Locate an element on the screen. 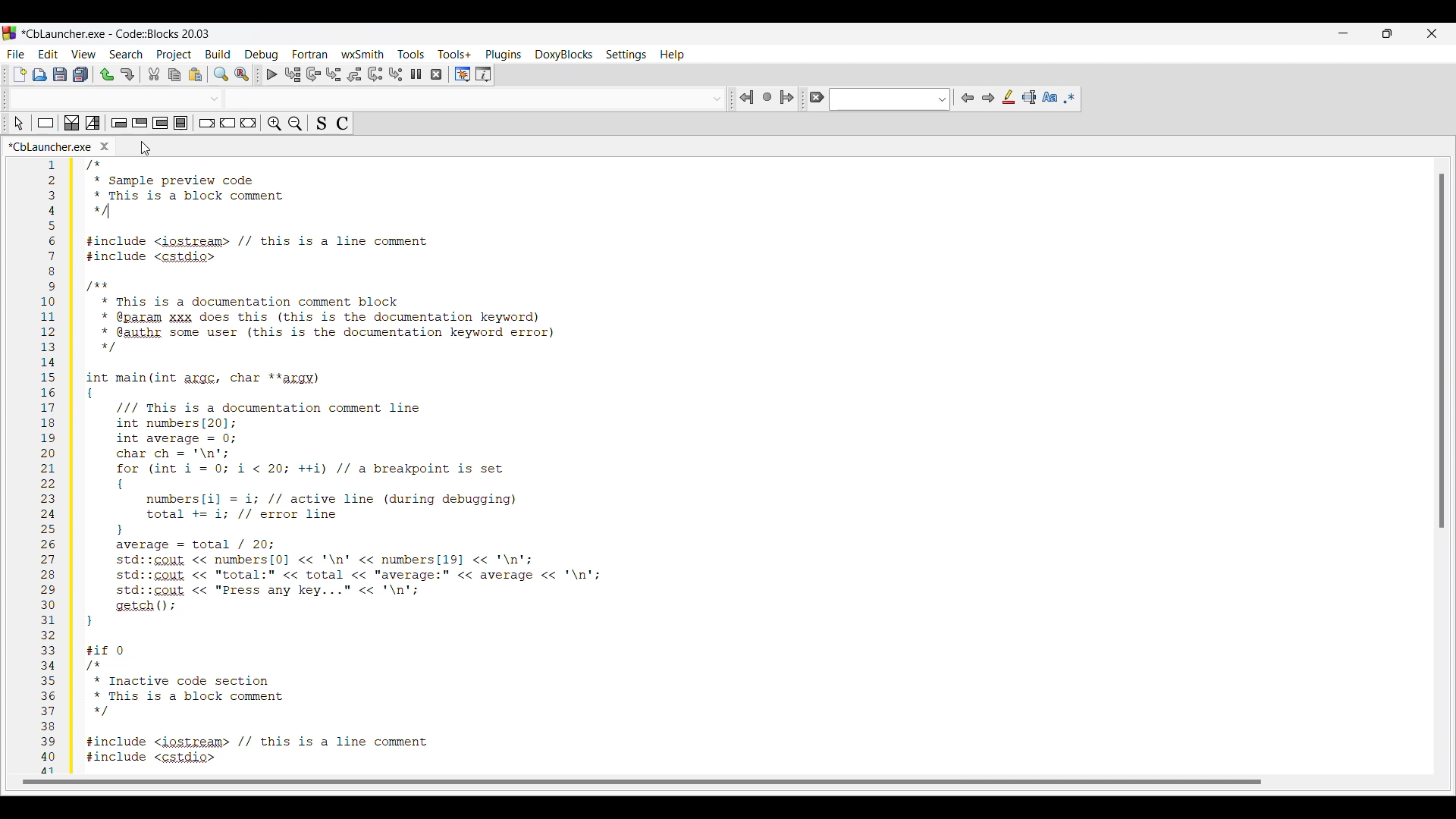 This screenshot has width=1456, height=819. Edit menu is located at coordinates (49, 54).